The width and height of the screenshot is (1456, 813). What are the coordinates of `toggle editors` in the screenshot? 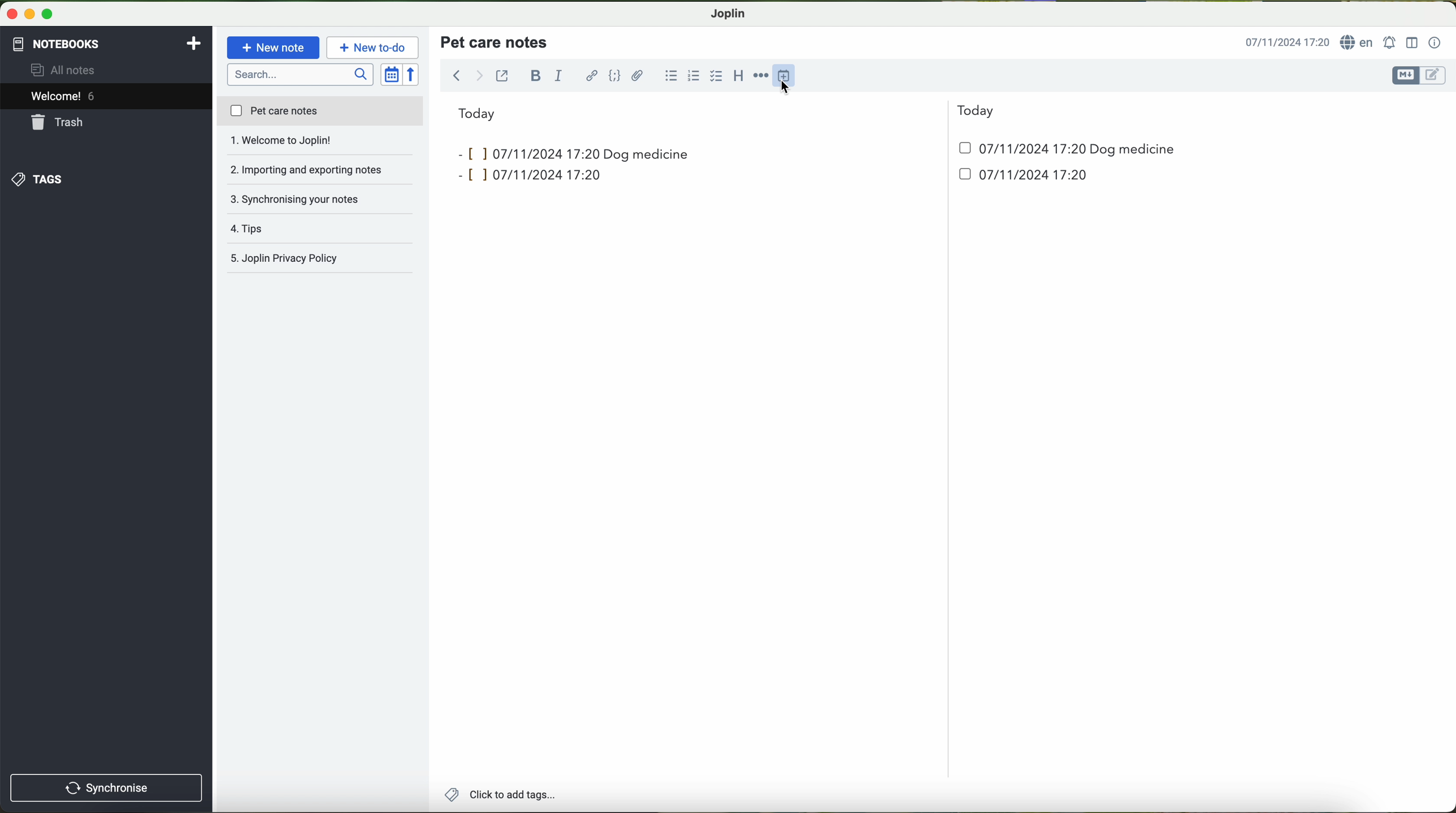 It's located at (1418, 76).